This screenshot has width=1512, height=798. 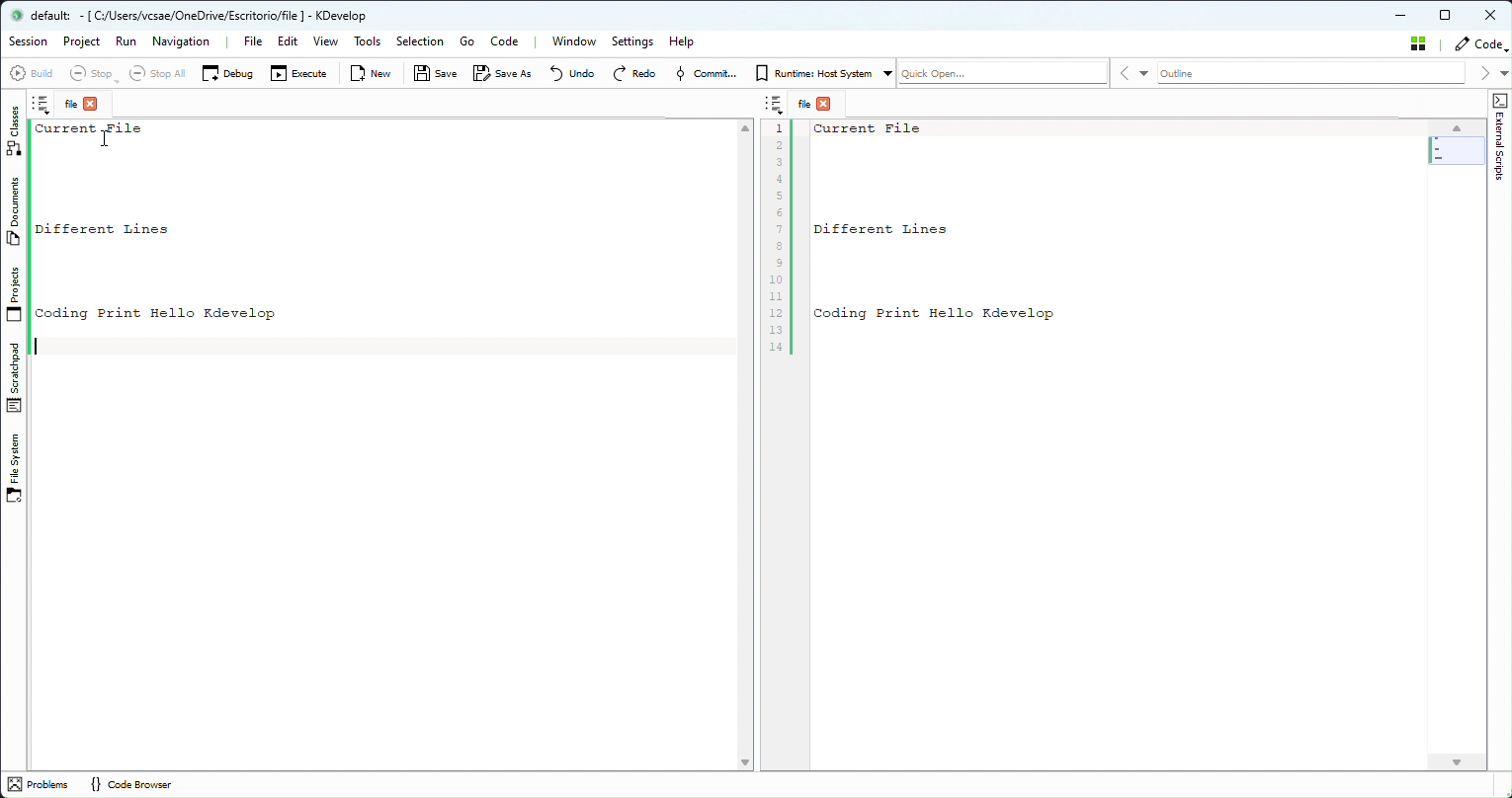 What do you see at coordinates (467, 43) in the screenshot?
I see `Go` at bounding box center [467, 43].